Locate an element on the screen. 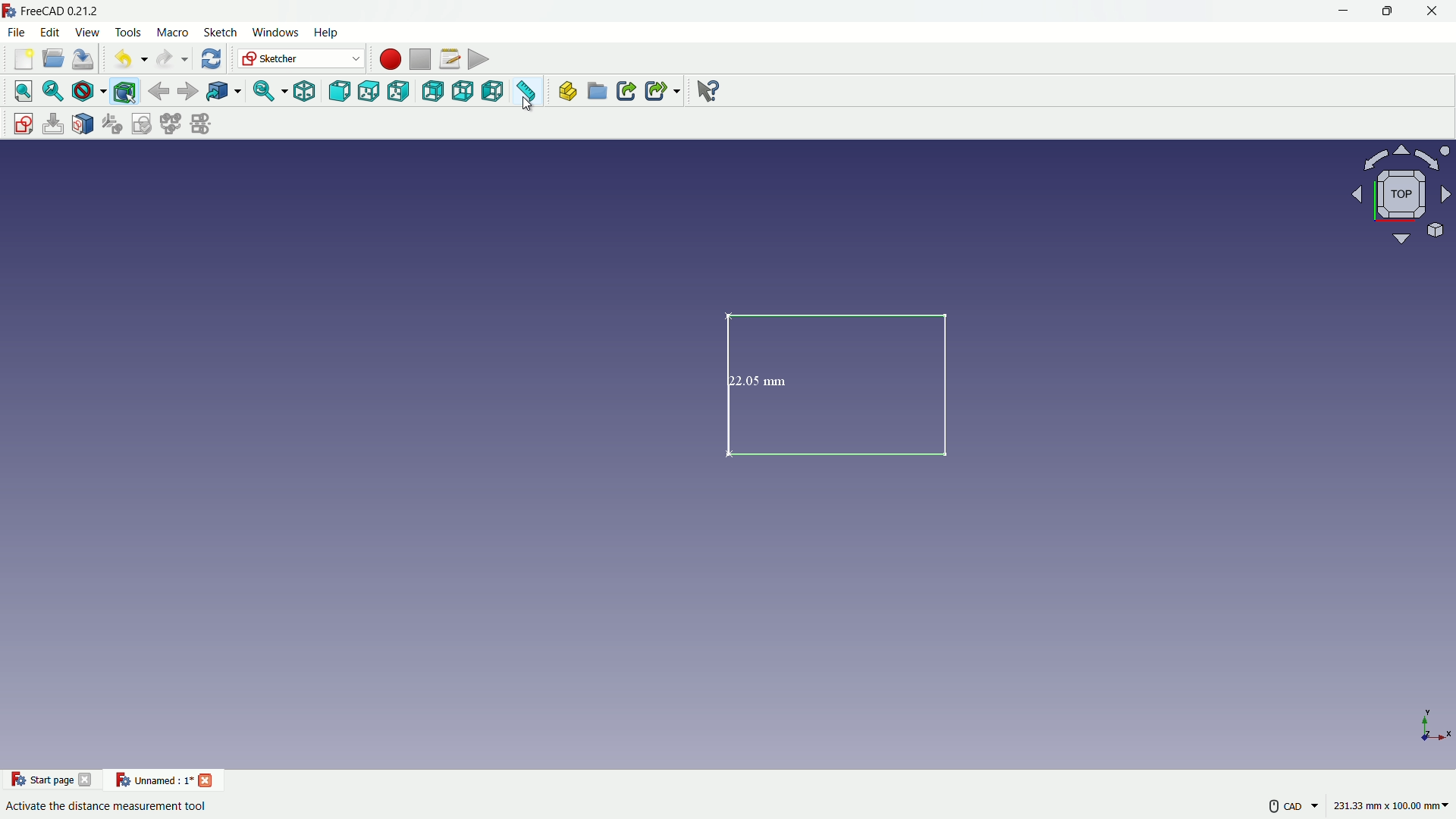 This screenshot has height=819, width=1456. forward is located at coordinates (187, 91).